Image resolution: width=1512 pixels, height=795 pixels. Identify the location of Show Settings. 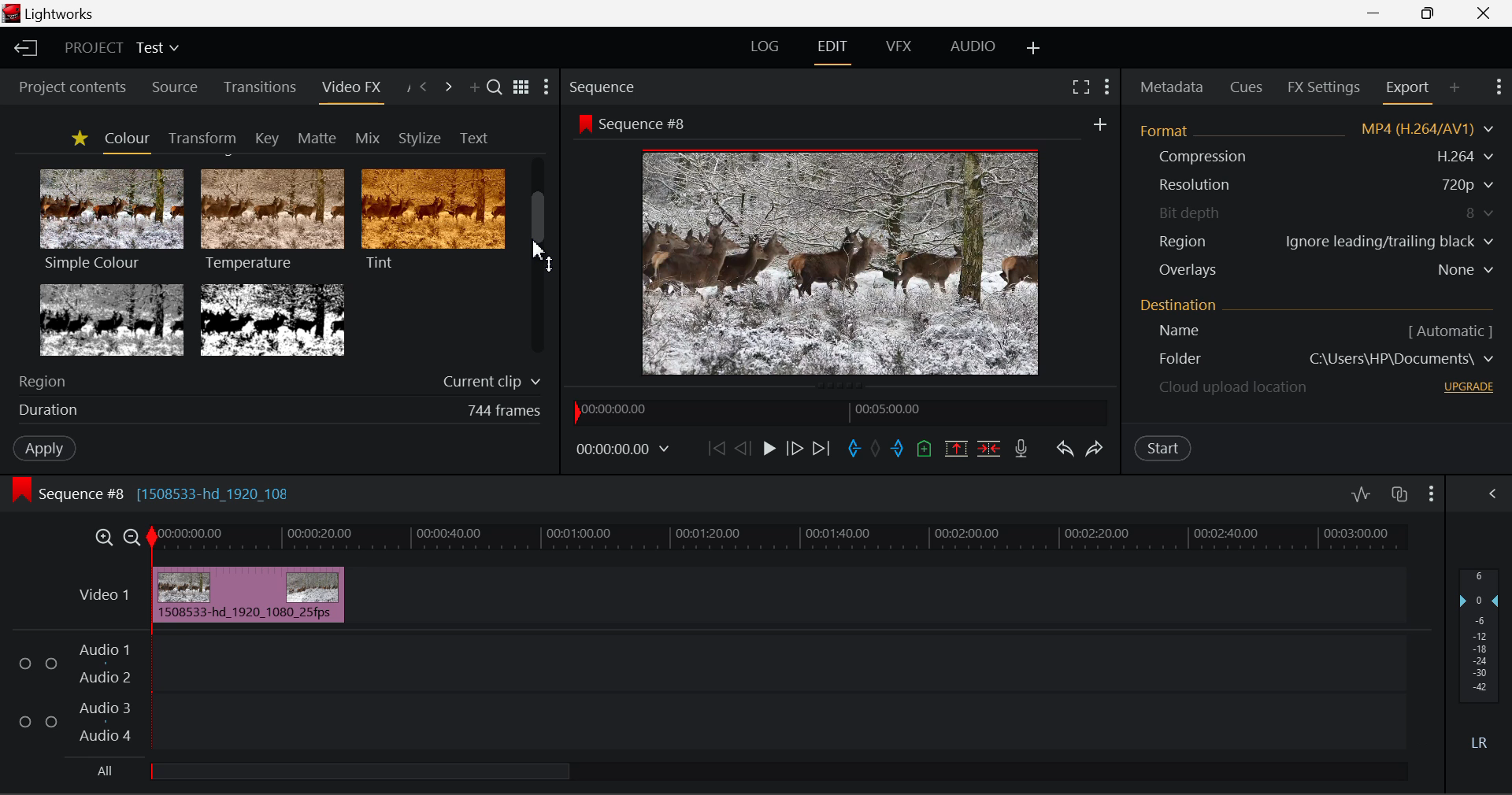
(1499, 90).